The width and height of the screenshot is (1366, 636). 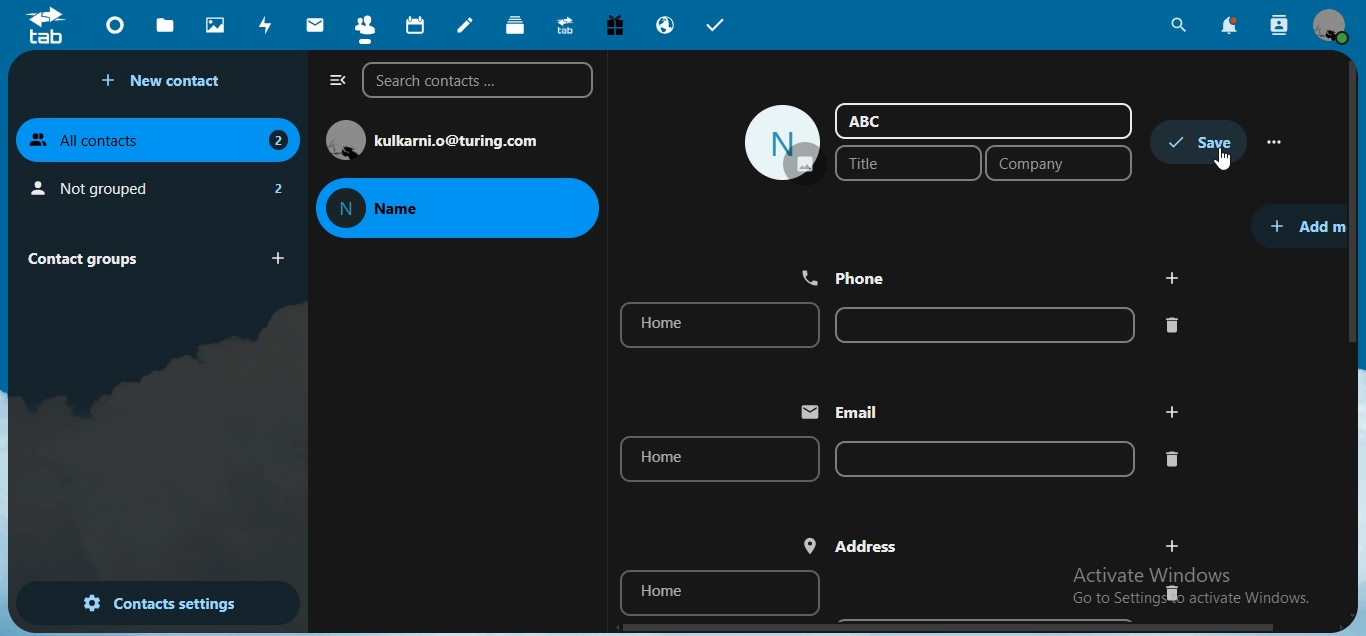 What do you see at coordinates (719, 460) in the screenshot?
I see `home` at bounding box center [719, 460].